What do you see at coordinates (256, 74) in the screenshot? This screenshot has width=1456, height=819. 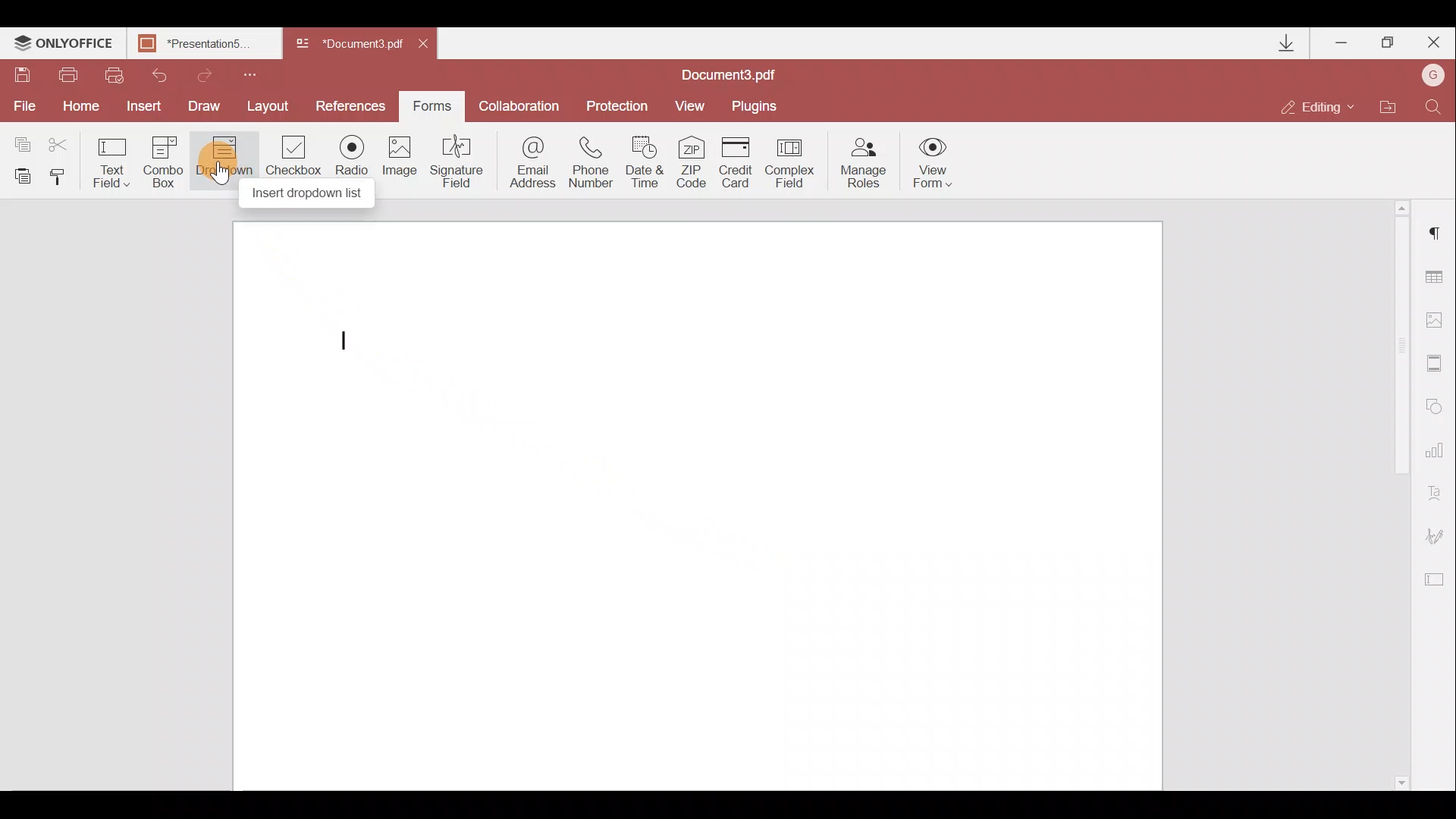 I see `Customize quick access toolbar` at bounding box center [256, 74].